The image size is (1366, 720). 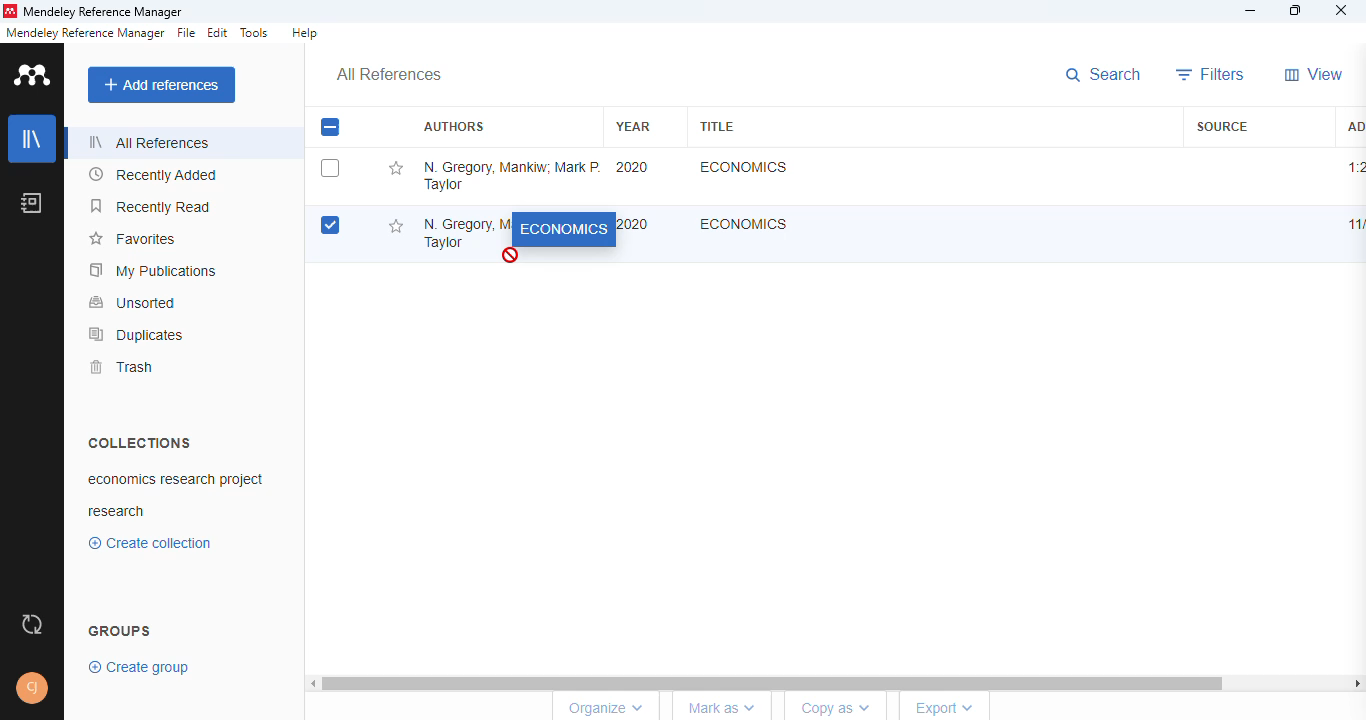 I want to click on close, so click(x=1341, y=12).